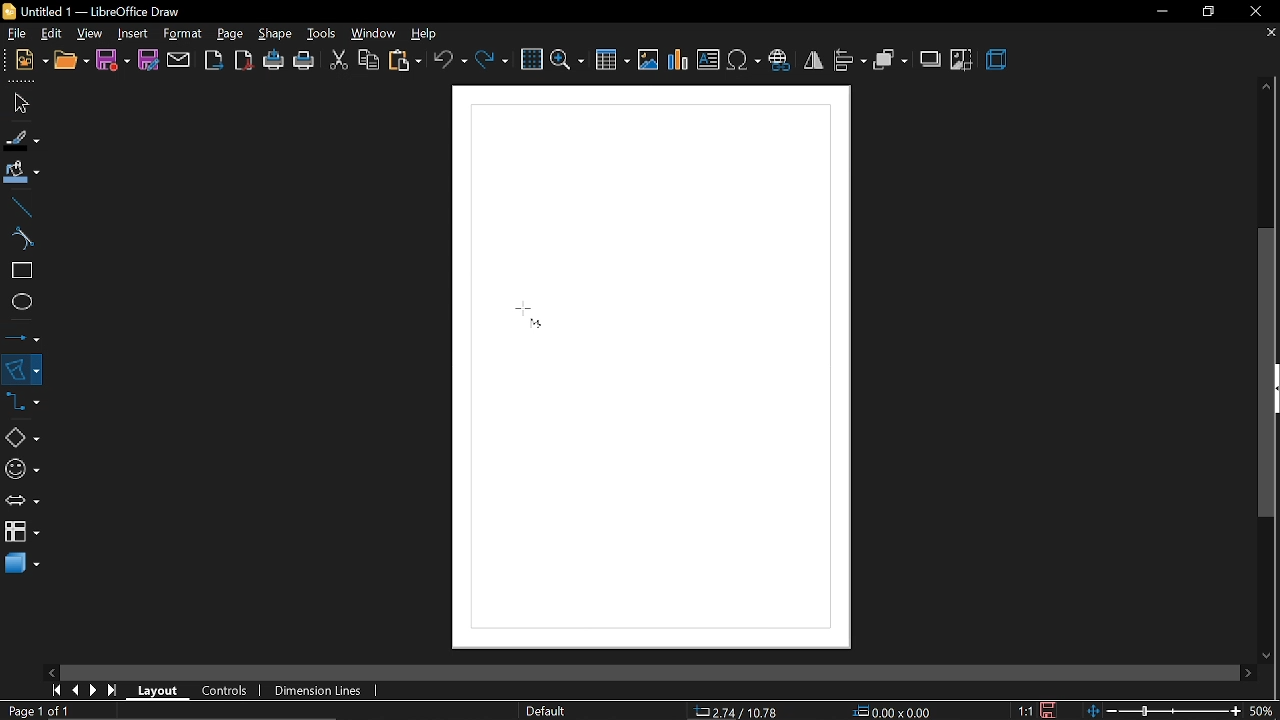 This screenshot has height=720, width=1280. Describe the element at coordinates (20, 138) in the screenshot. I see `fill line` at that location.